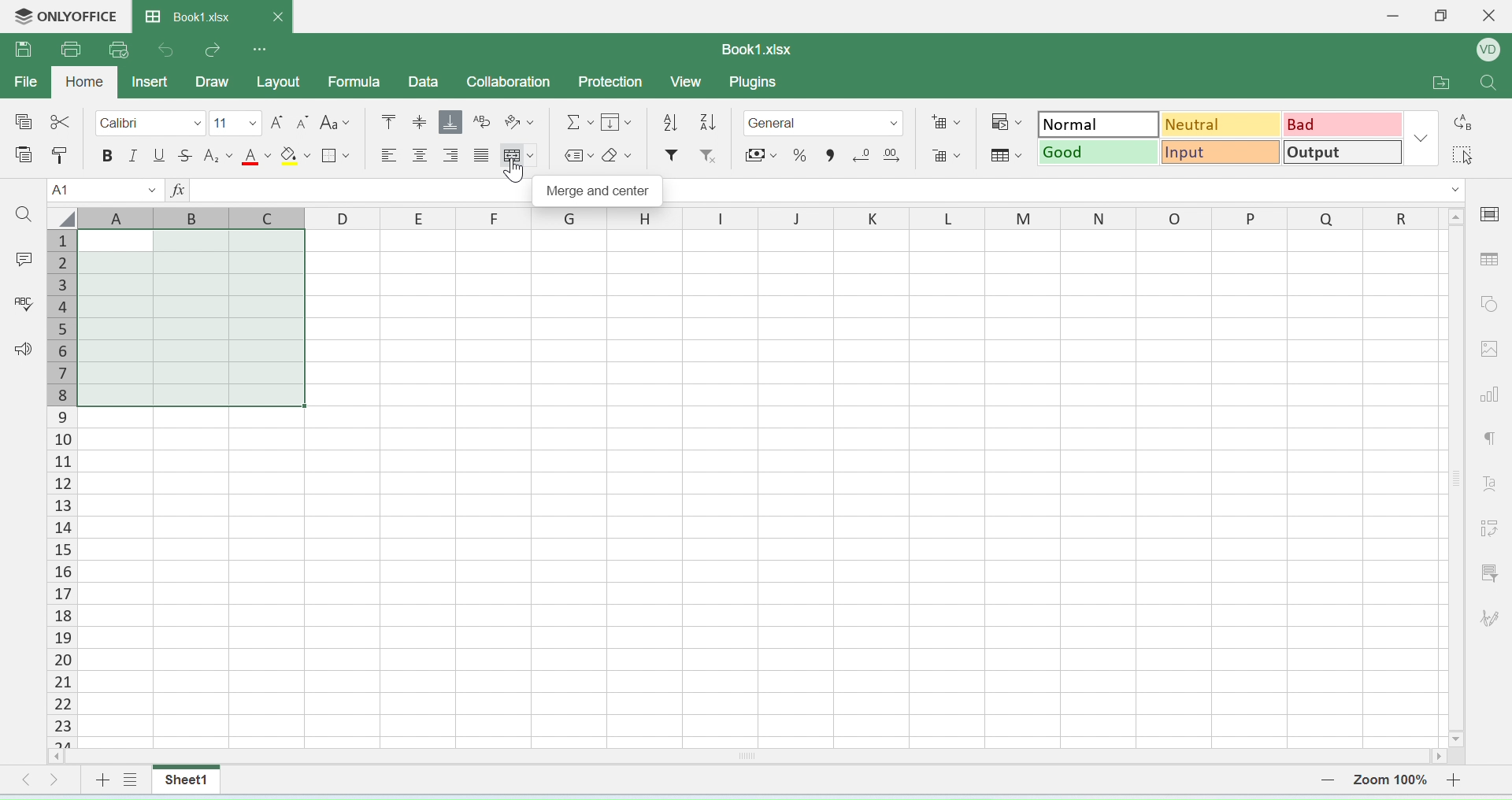 The width and height of the screenshot is (1512, 800). Describe the element at coordinates (515, 172) in the screenshot. I see `cursor on merge cells` at that location.